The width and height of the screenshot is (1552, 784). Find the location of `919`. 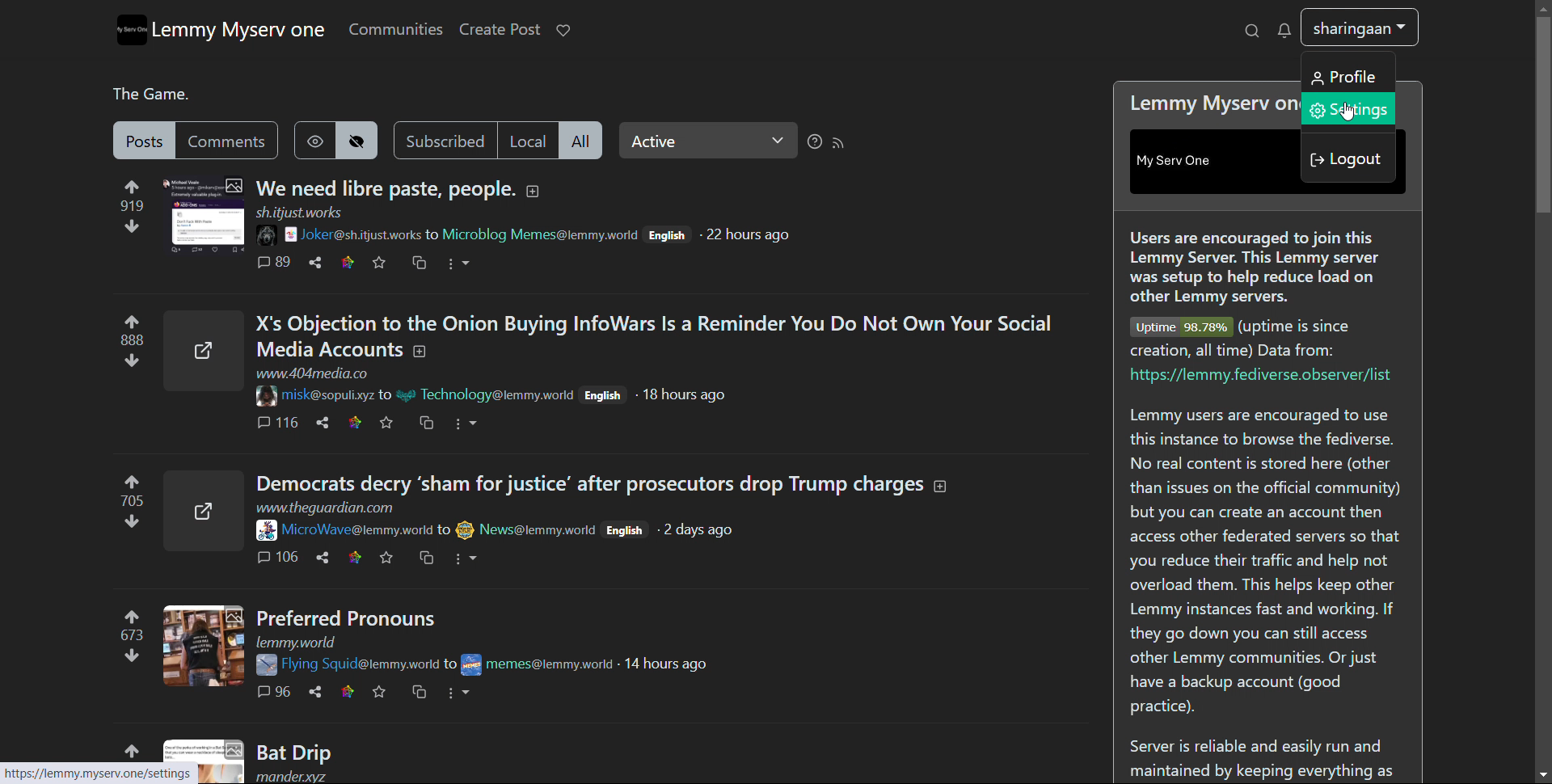

919 is located at coordinates (137, 204).